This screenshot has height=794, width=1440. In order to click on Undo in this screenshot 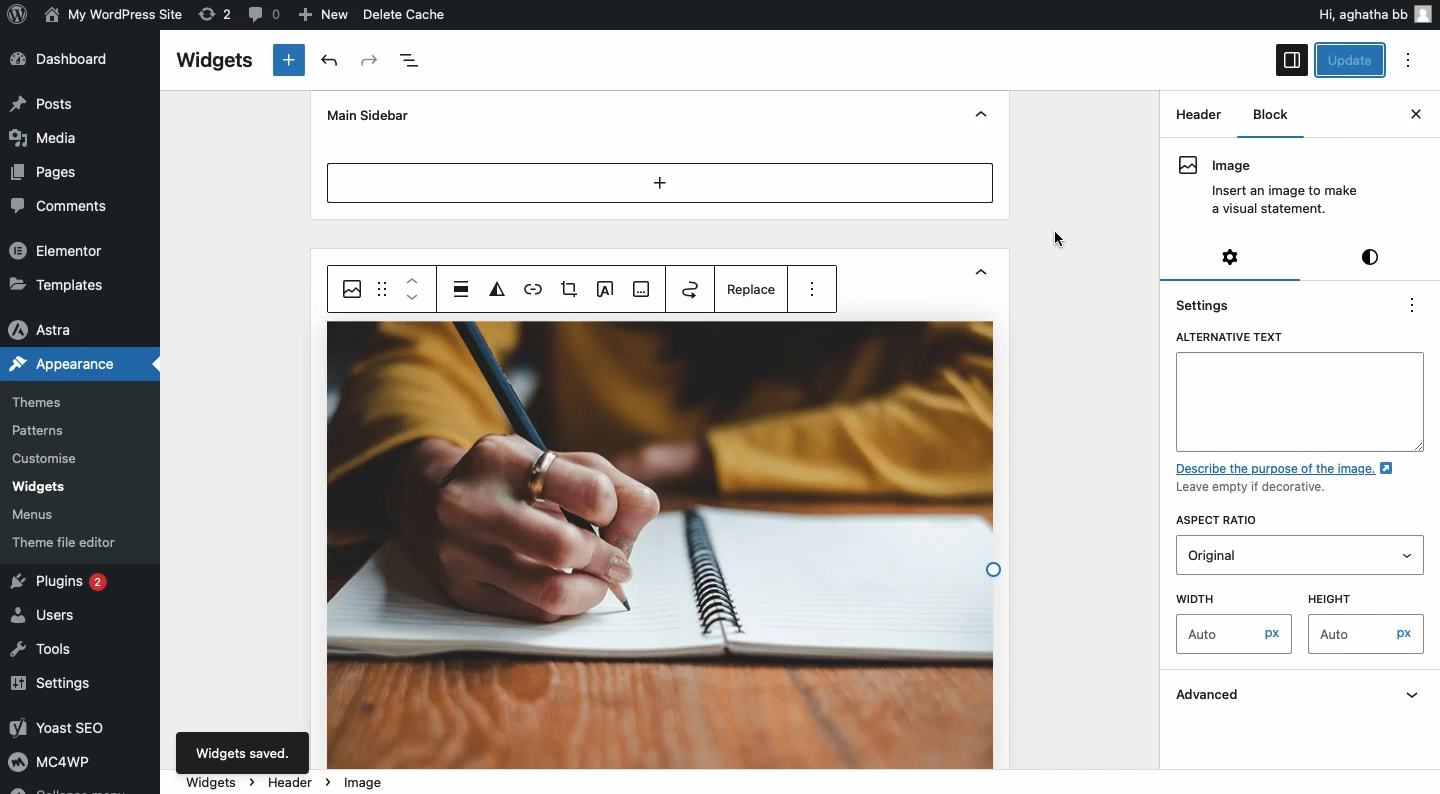, I will do `click(333, 61)`.